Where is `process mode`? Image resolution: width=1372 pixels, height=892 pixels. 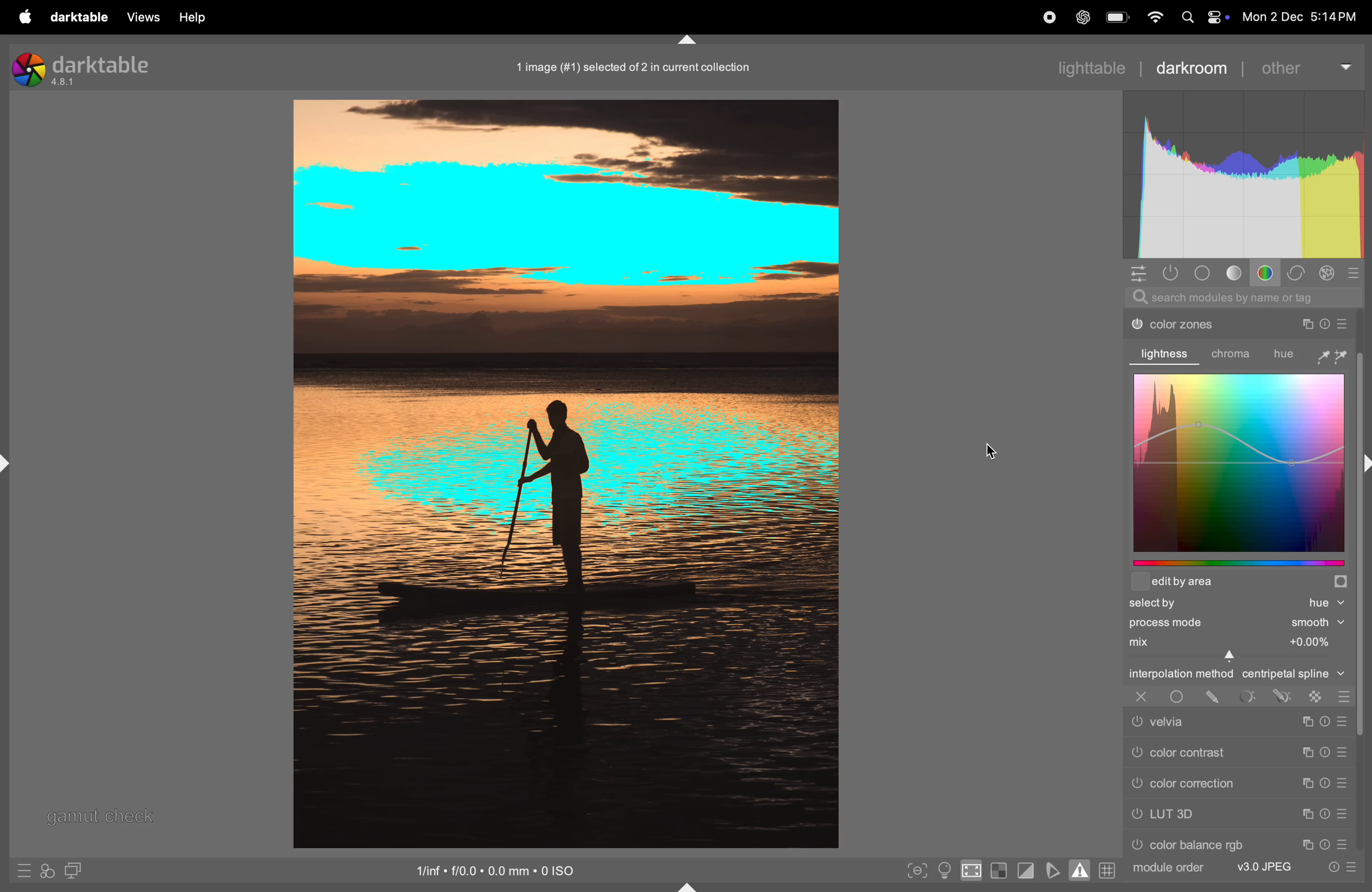
process mode is located at coordinates (1202, 623).